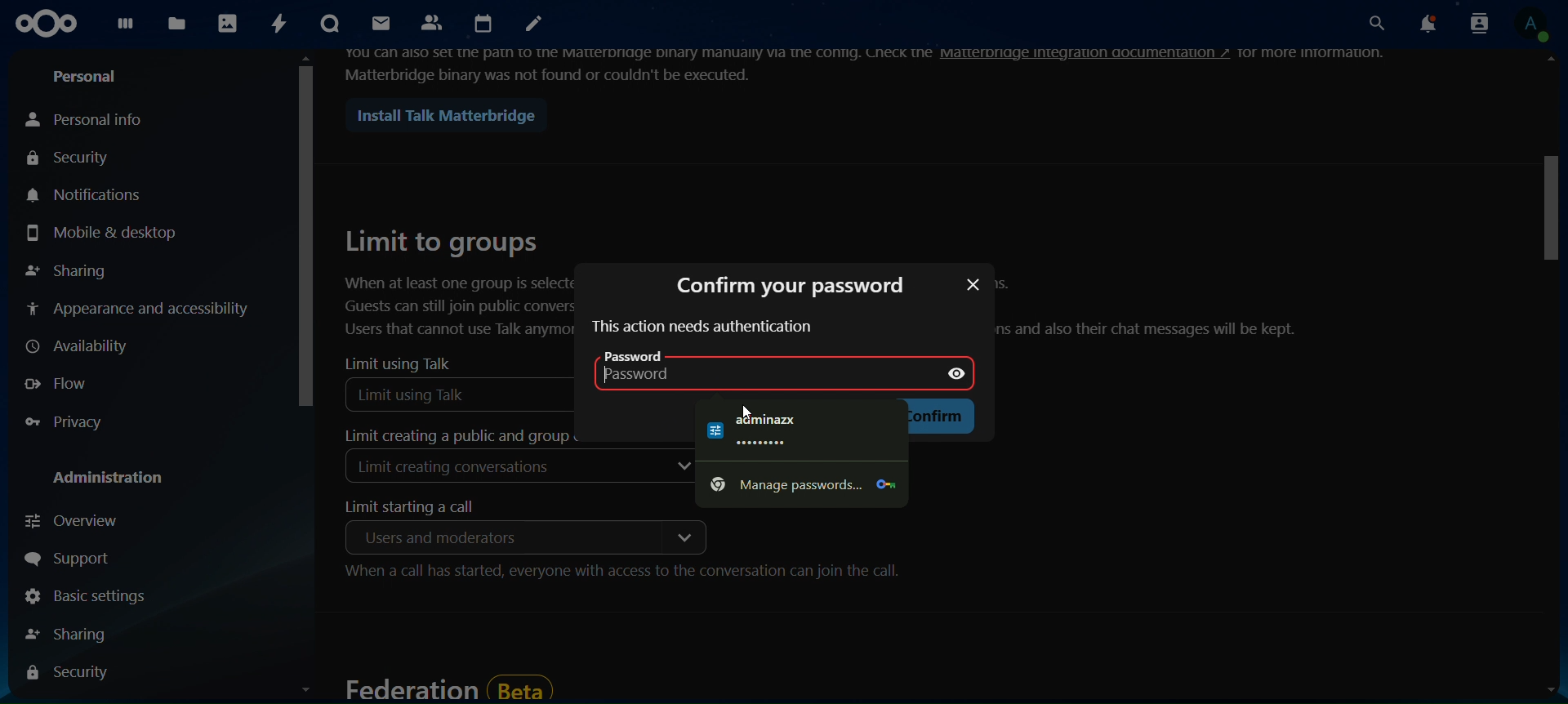 The height and width of the screenshot is (704, 1568). Describe the element at coordinates (89, 118) in the screenshot. I see `personal info` at that location.